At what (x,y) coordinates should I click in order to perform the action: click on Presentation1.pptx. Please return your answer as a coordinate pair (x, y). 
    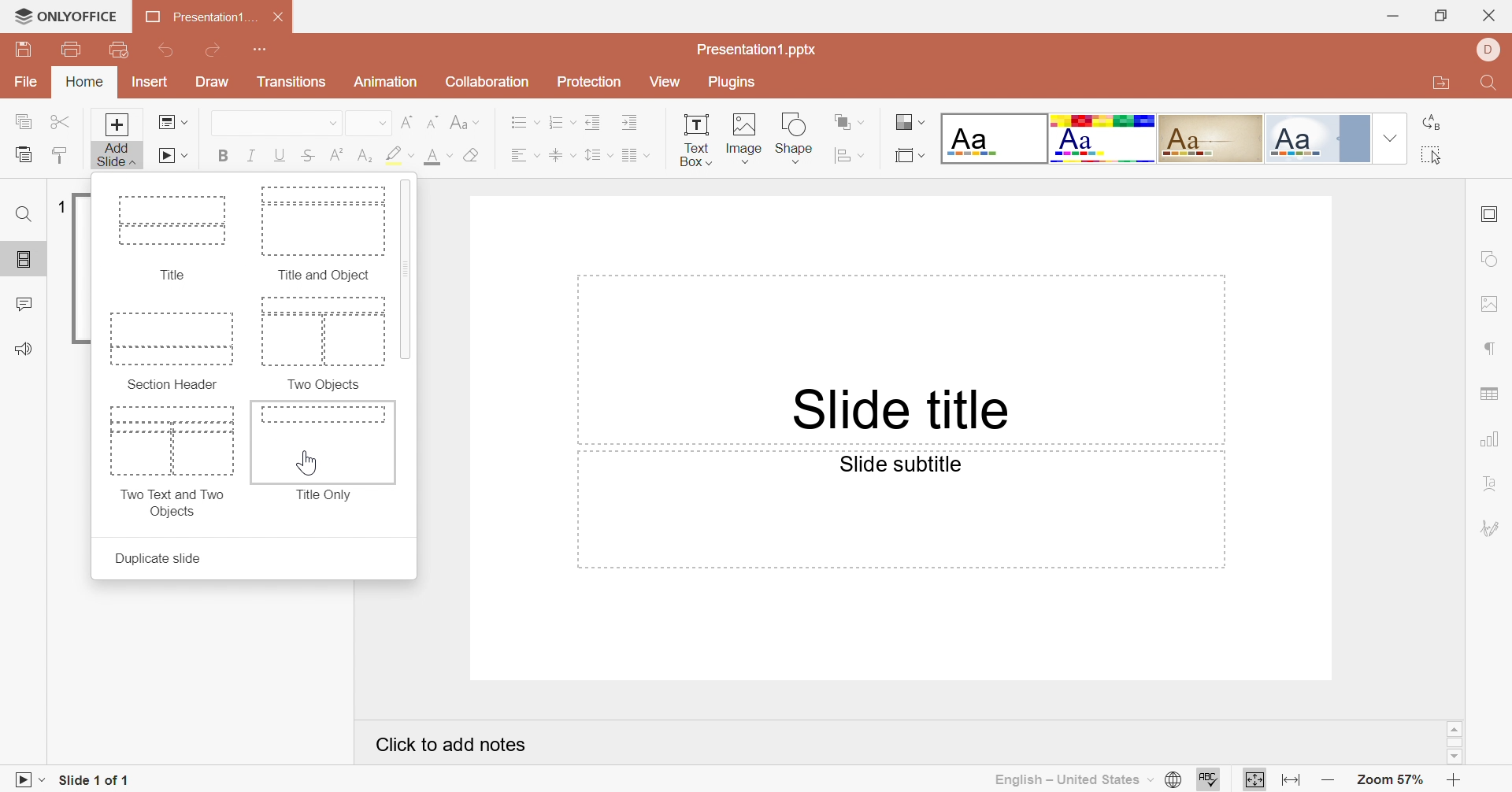
    Looking at the image, I should click on (758, 50).